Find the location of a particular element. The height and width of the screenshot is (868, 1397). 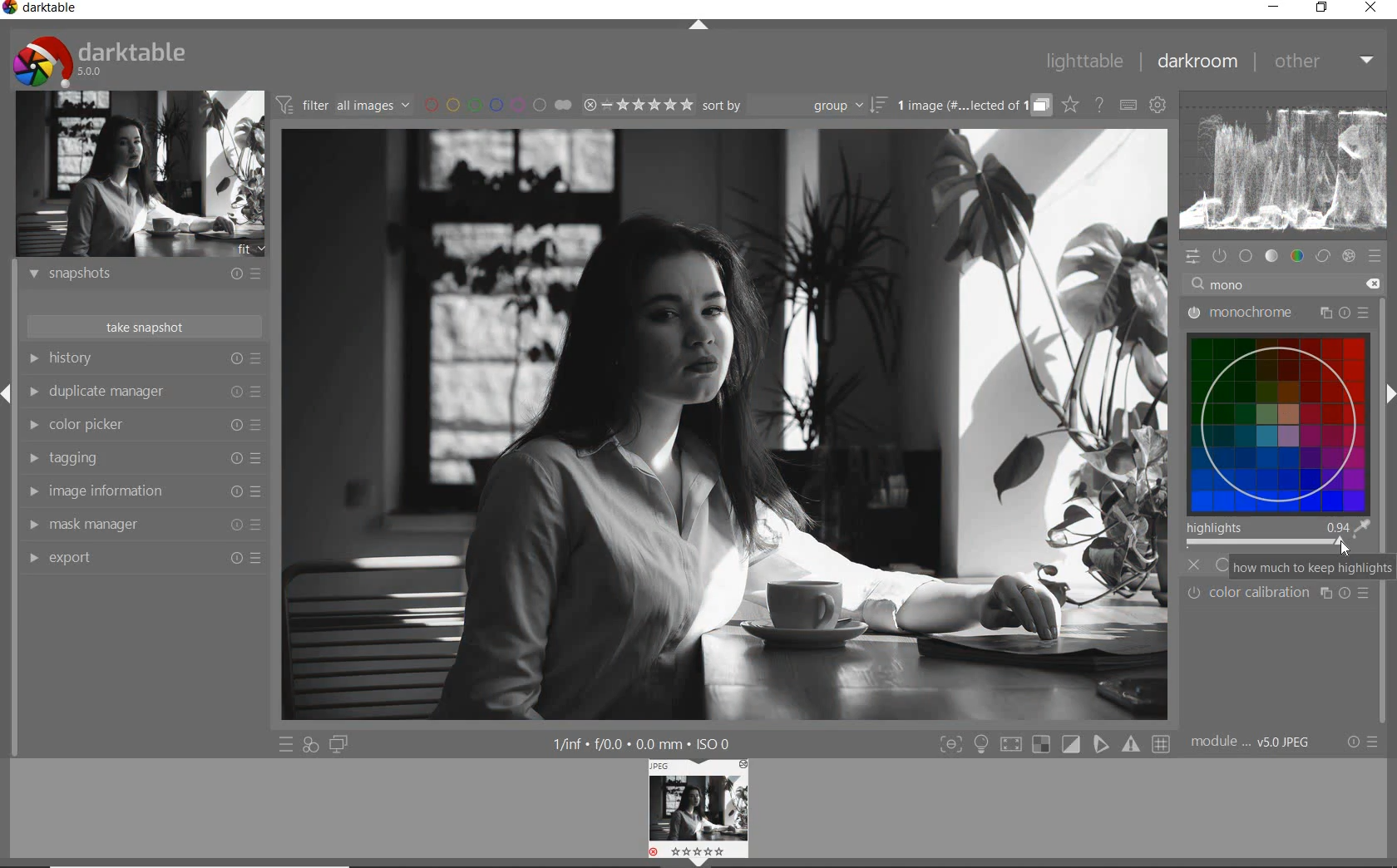

grouped images is located at coordinates (973, 106).